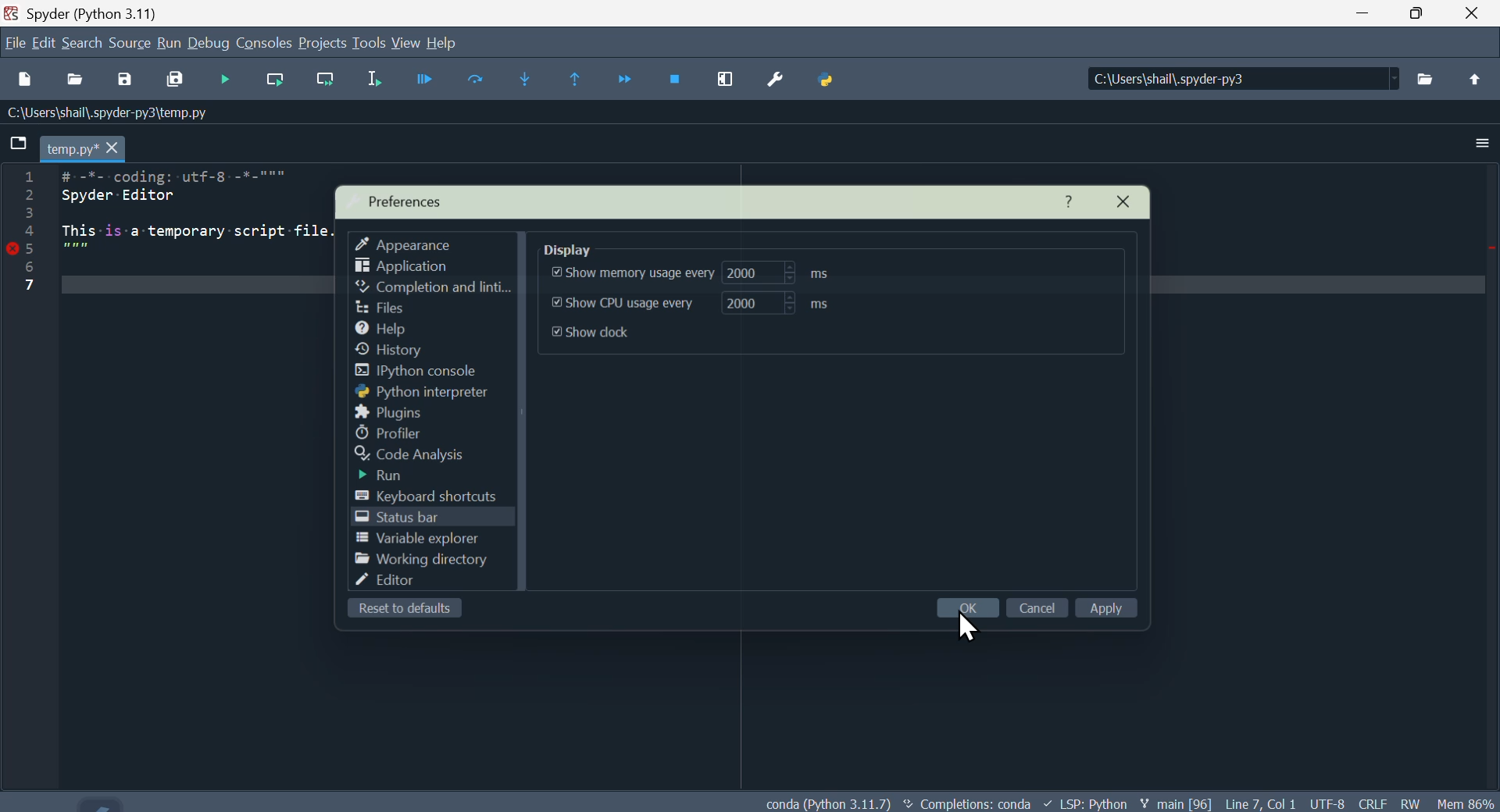 The height and width of the screenshot is (812, 1500). What do you see at coordinates (280, 80) in the screenshot?
I see `Run current line` at bounding box center [280, 80].